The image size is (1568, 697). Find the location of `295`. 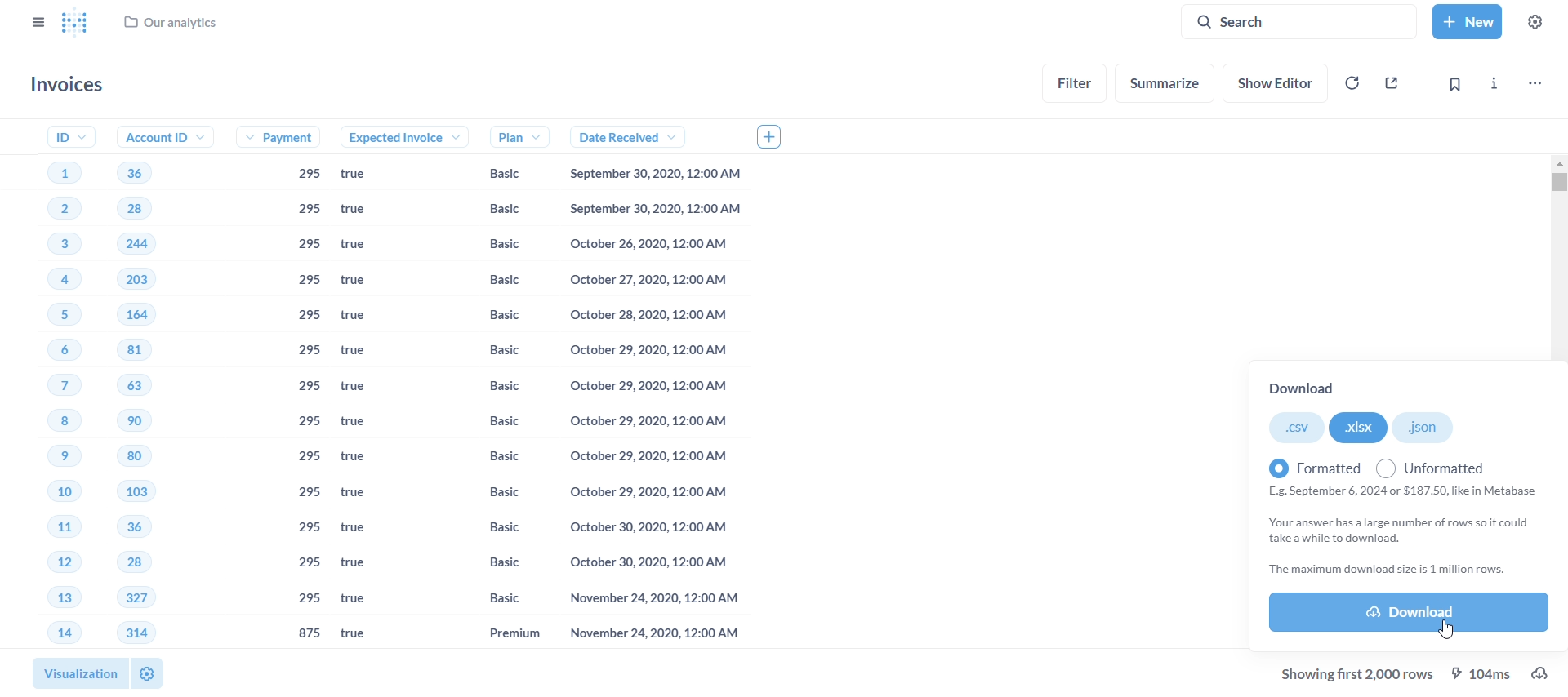

295 is located at coordinates (305, 352).